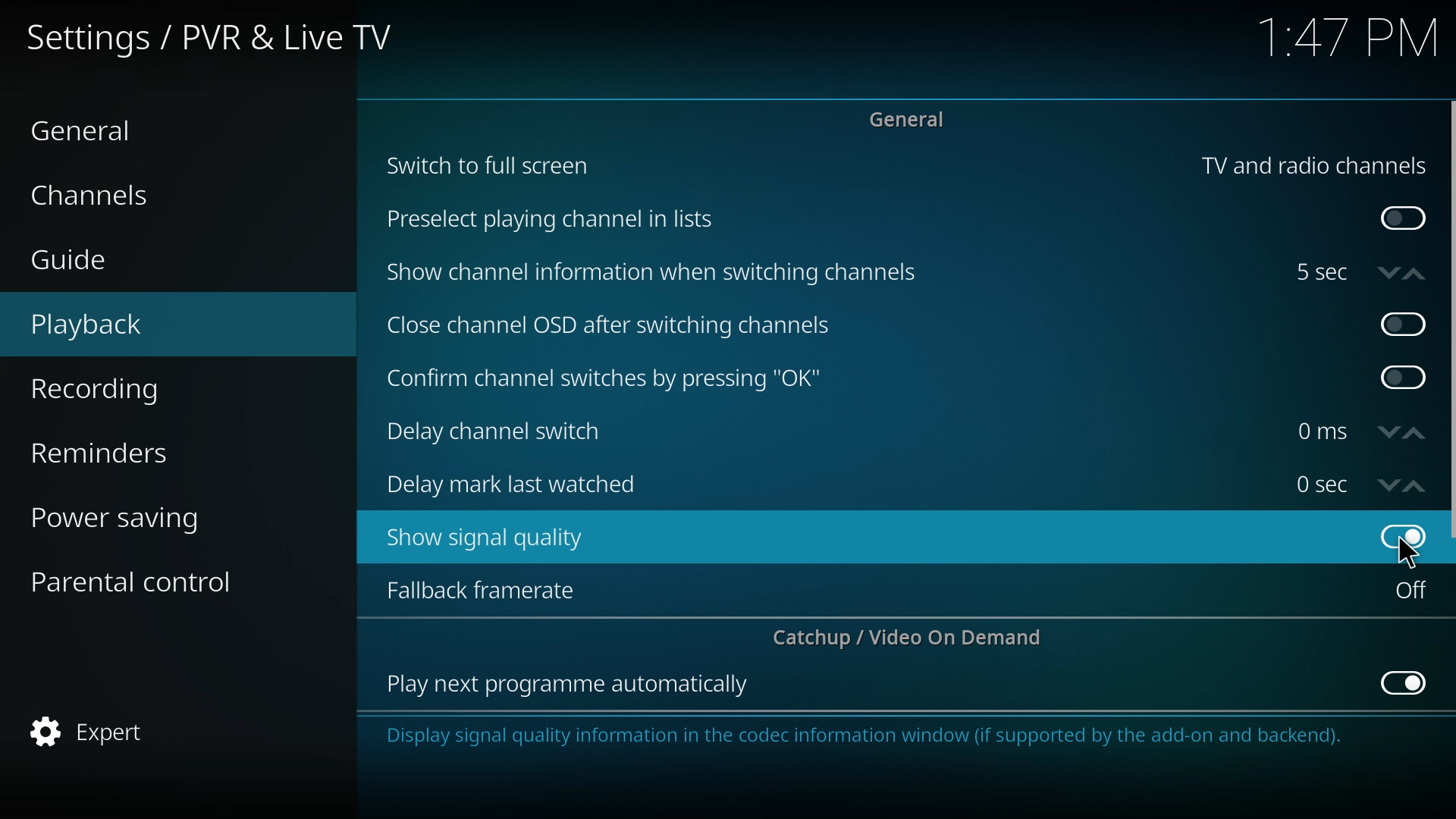  Describe the element at coordinates (1408, 552) in the screenshot. I see `cursor` at that location.